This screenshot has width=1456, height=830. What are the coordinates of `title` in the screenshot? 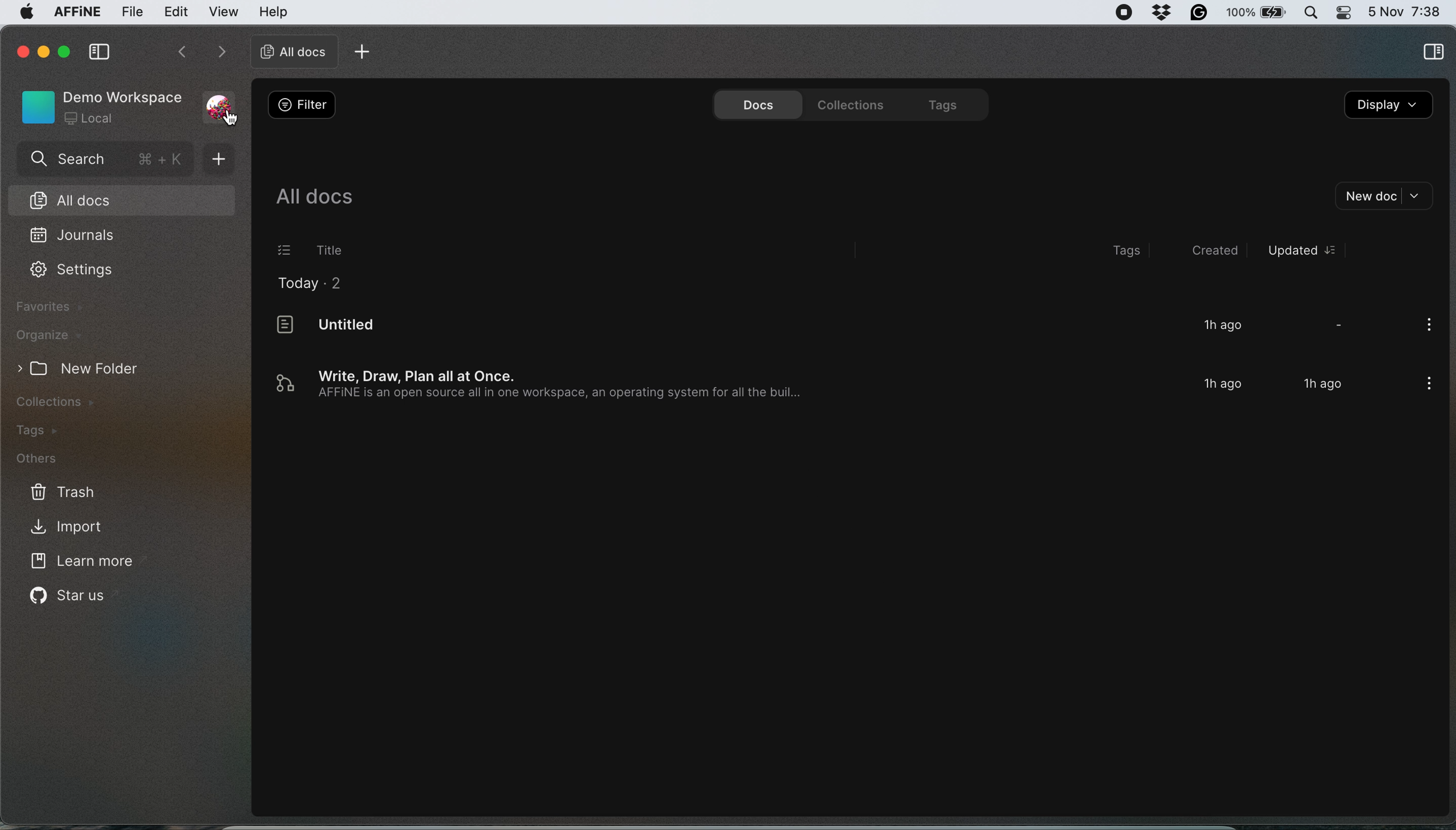 It's located at (314, 250).